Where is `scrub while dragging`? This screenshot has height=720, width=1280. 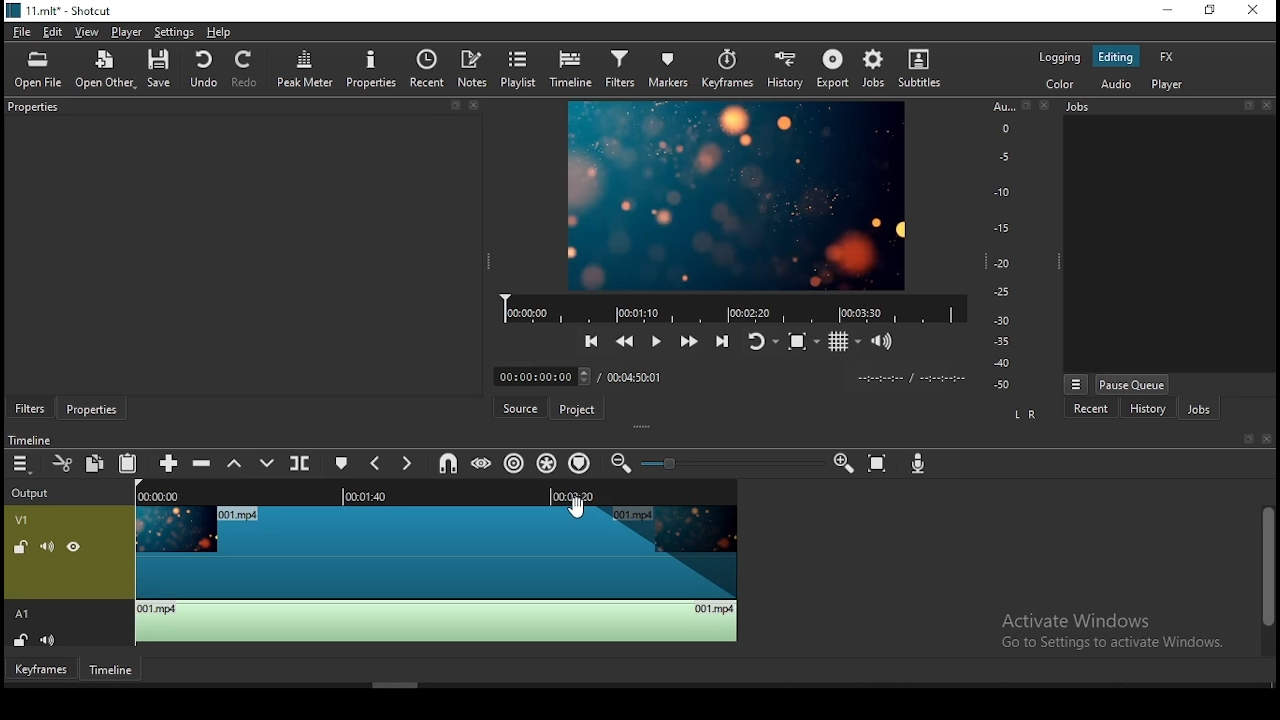
scrub while dragging is located at coordinates (484, 463).